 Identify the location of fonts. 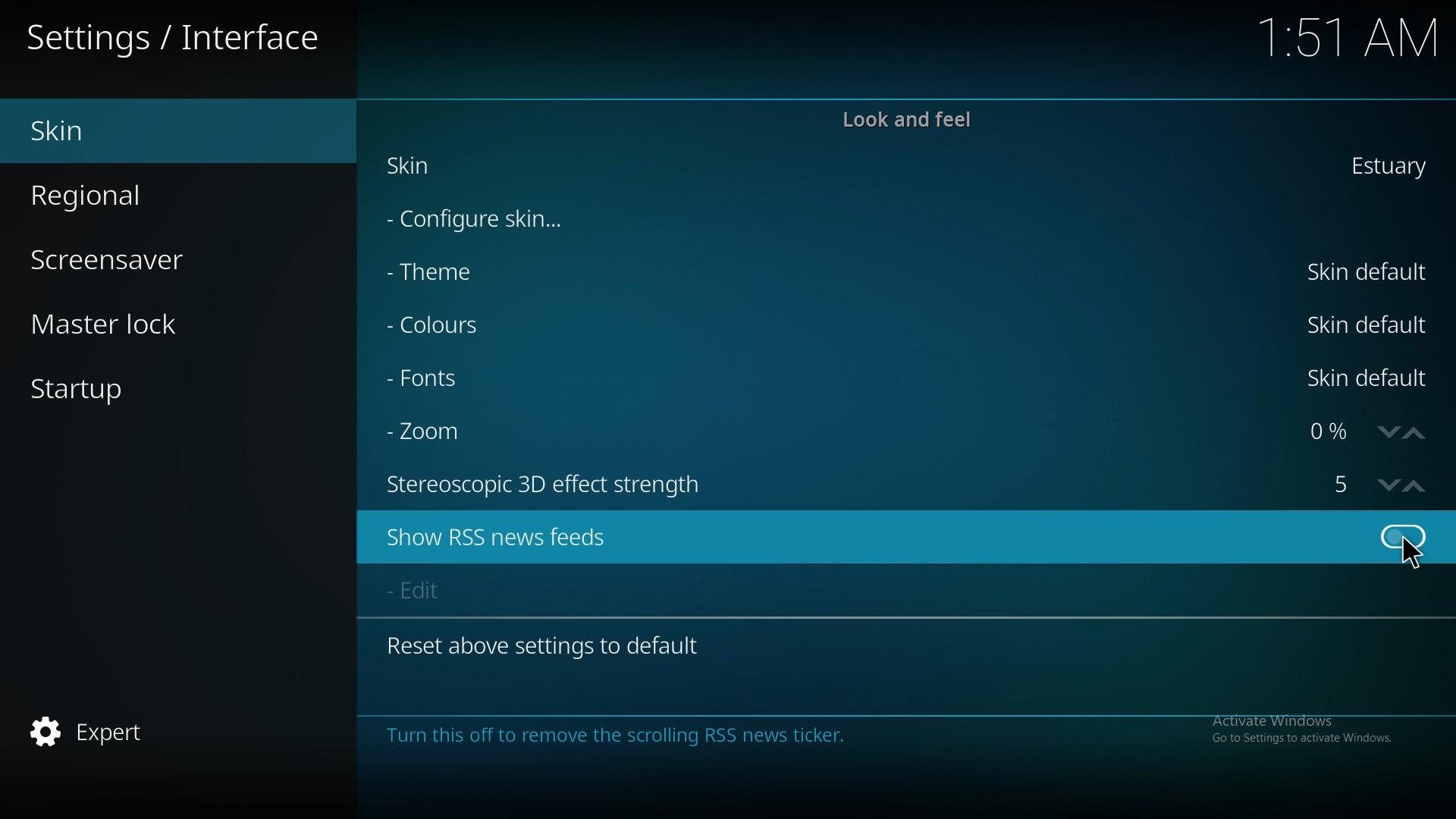
(451, 379).